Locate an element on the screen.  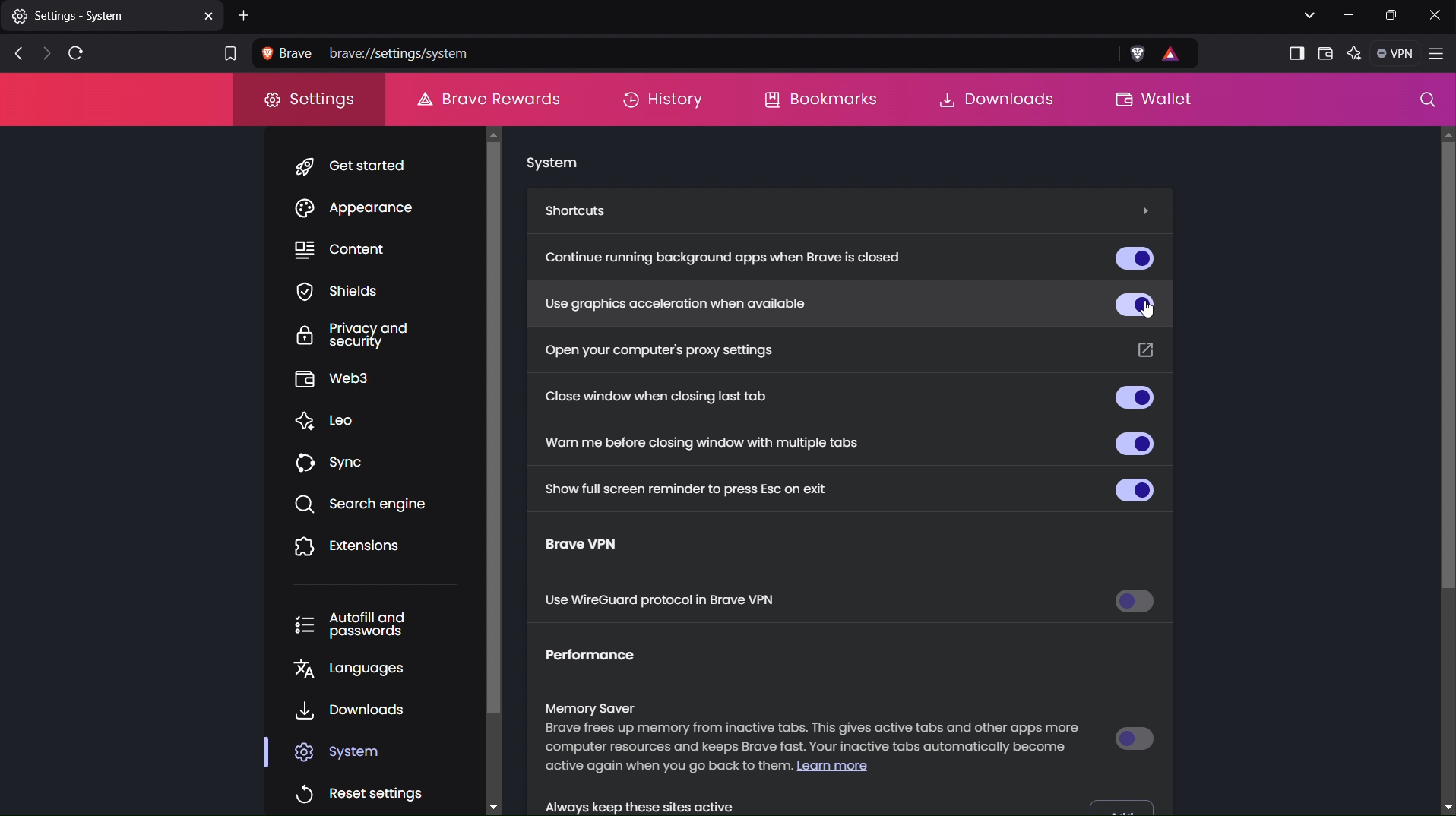
History is located at coordinates (661, 100).